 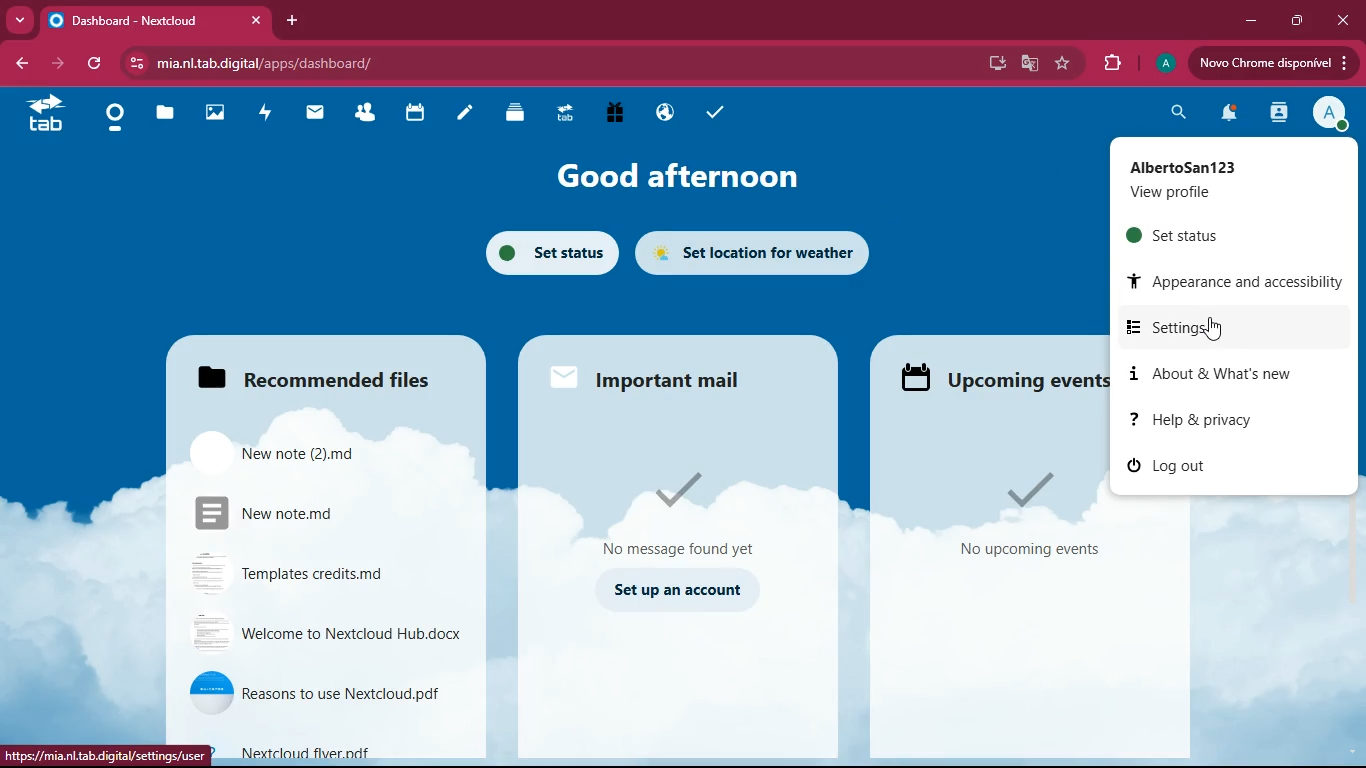 I want to click on extensions, so click(x=1112, y=64).